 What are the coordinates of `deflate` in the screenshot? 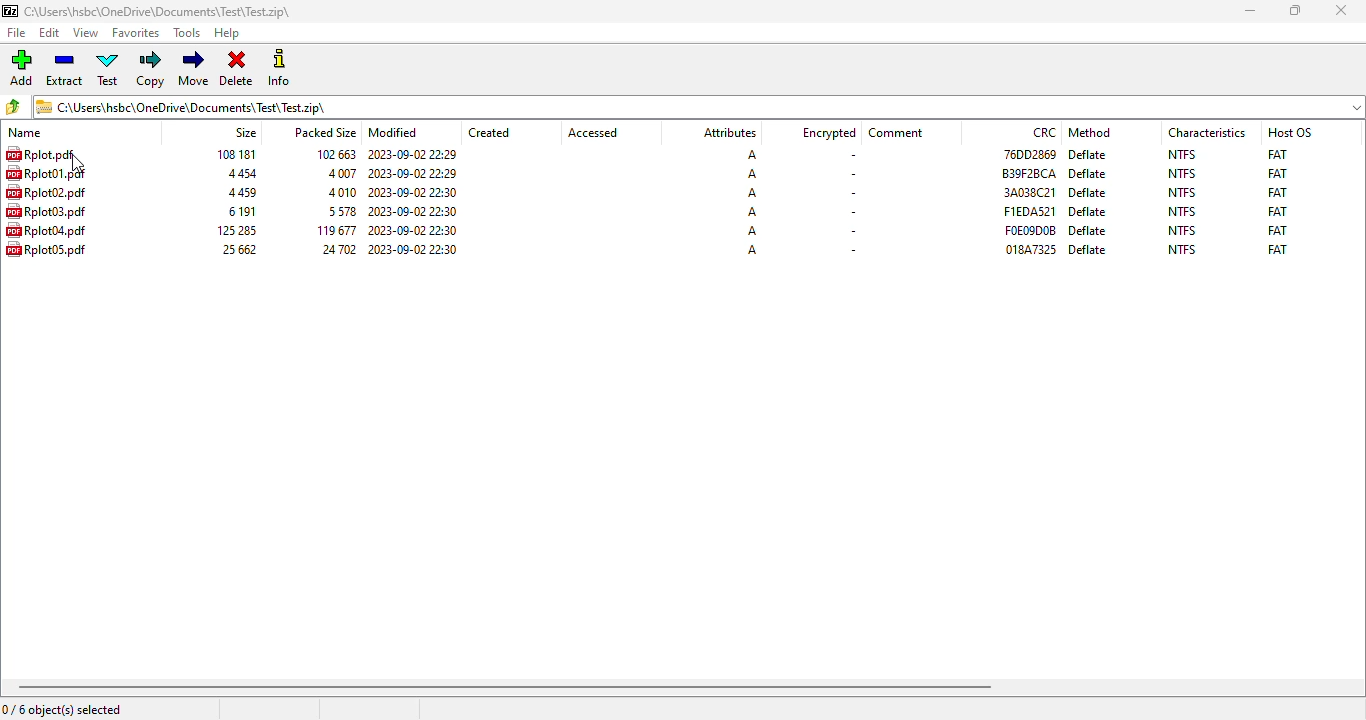 It's located at (1088, 192).